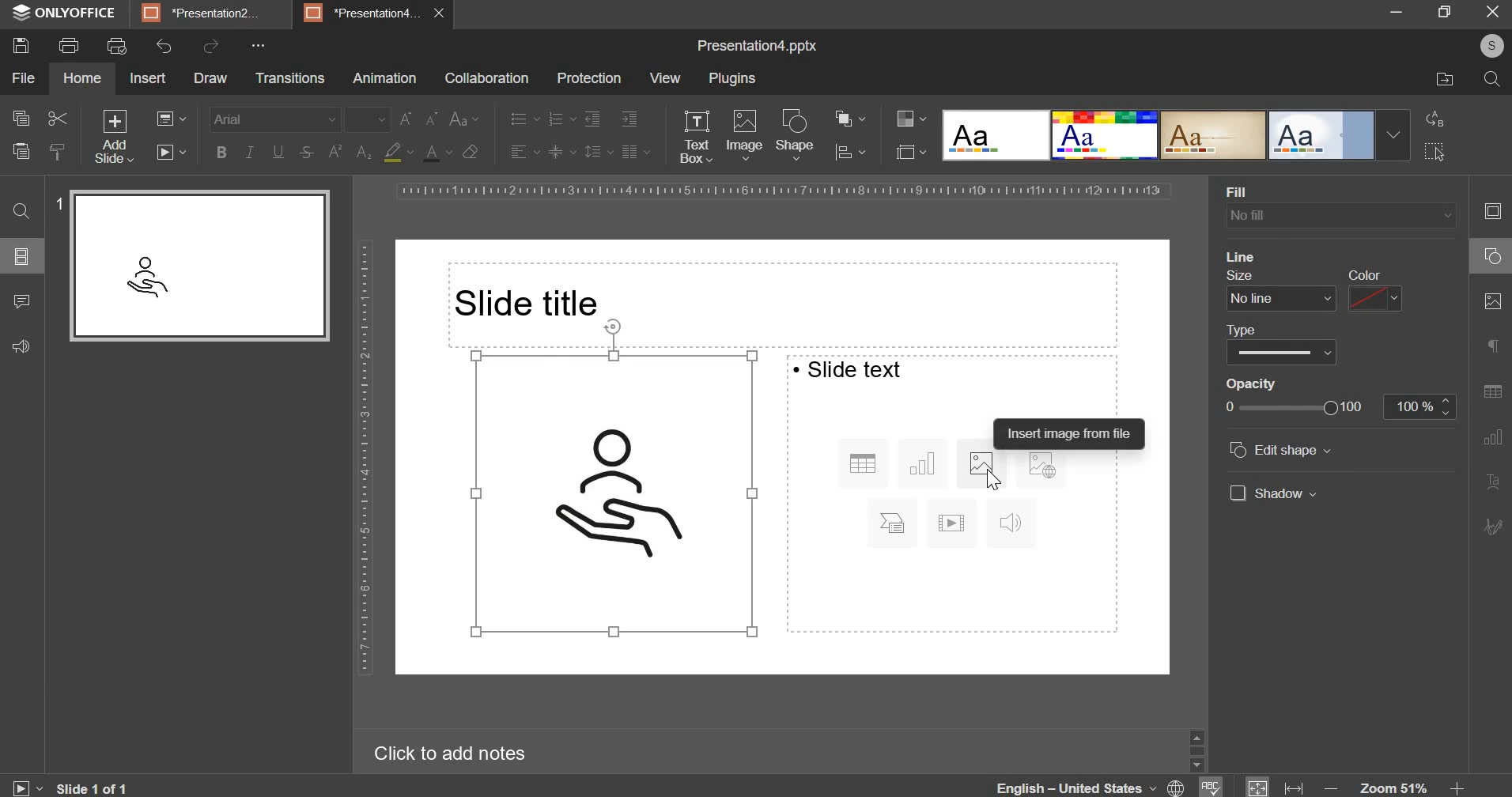 The image size is (1512, 797). Describe the element at coordinates (25, 785) in the screenshot. I see `slide show` at that location.